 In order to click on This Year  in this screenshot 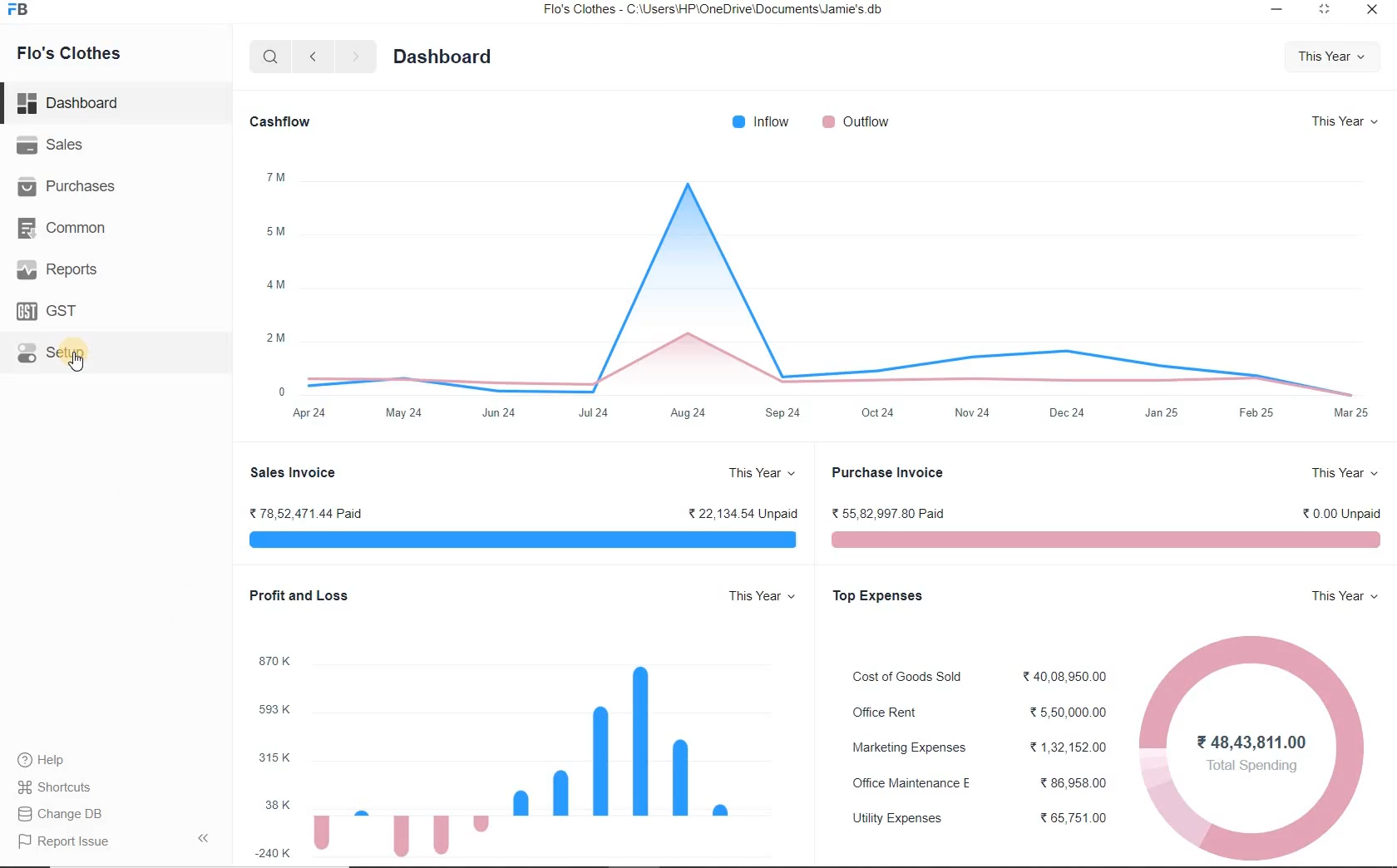, I will do `click(1329, 56)`.